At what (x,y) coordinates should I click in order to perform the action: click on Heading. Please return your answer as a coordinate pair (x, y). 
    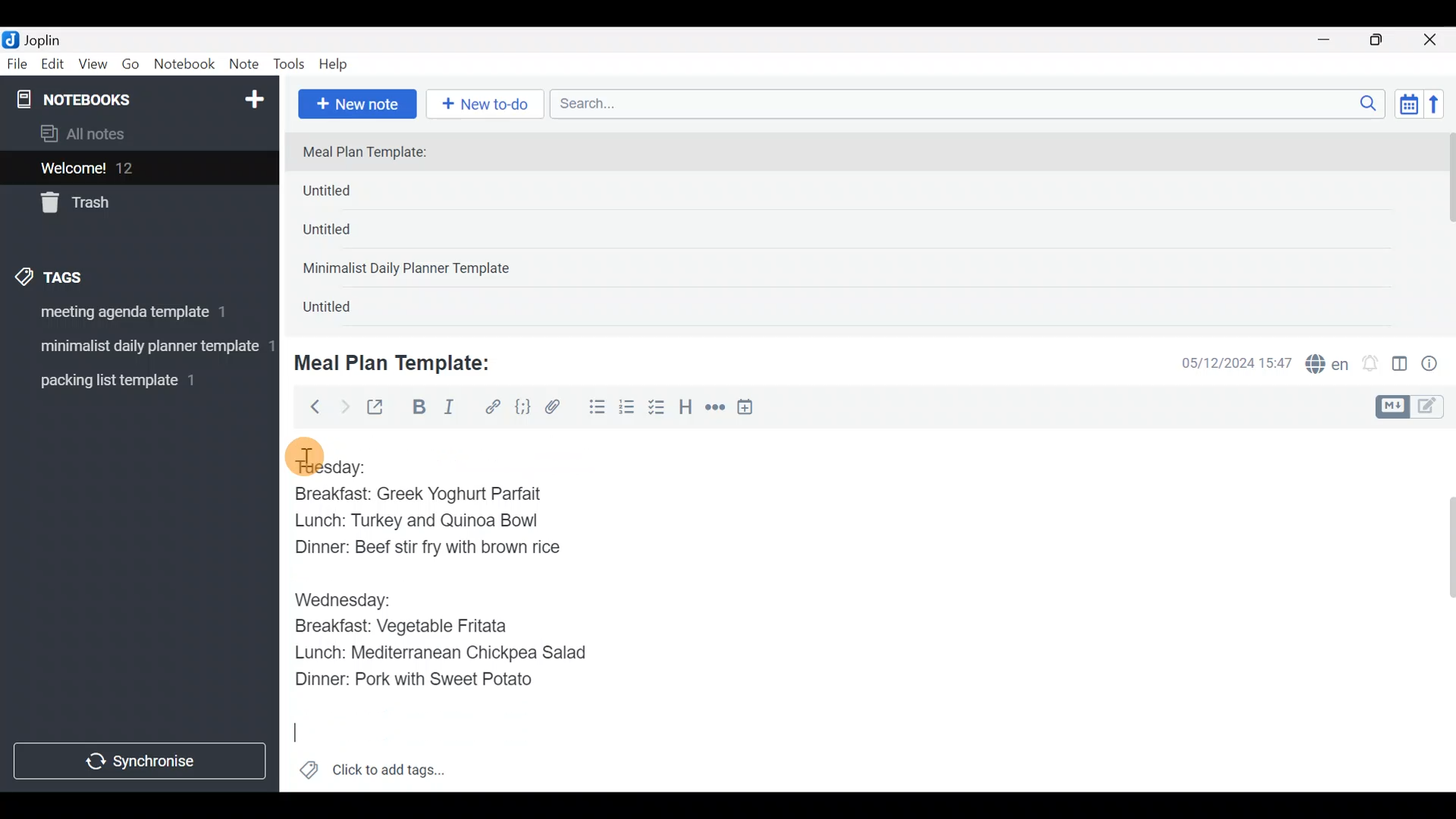
    Looking at the image, I should click on (686, 409).